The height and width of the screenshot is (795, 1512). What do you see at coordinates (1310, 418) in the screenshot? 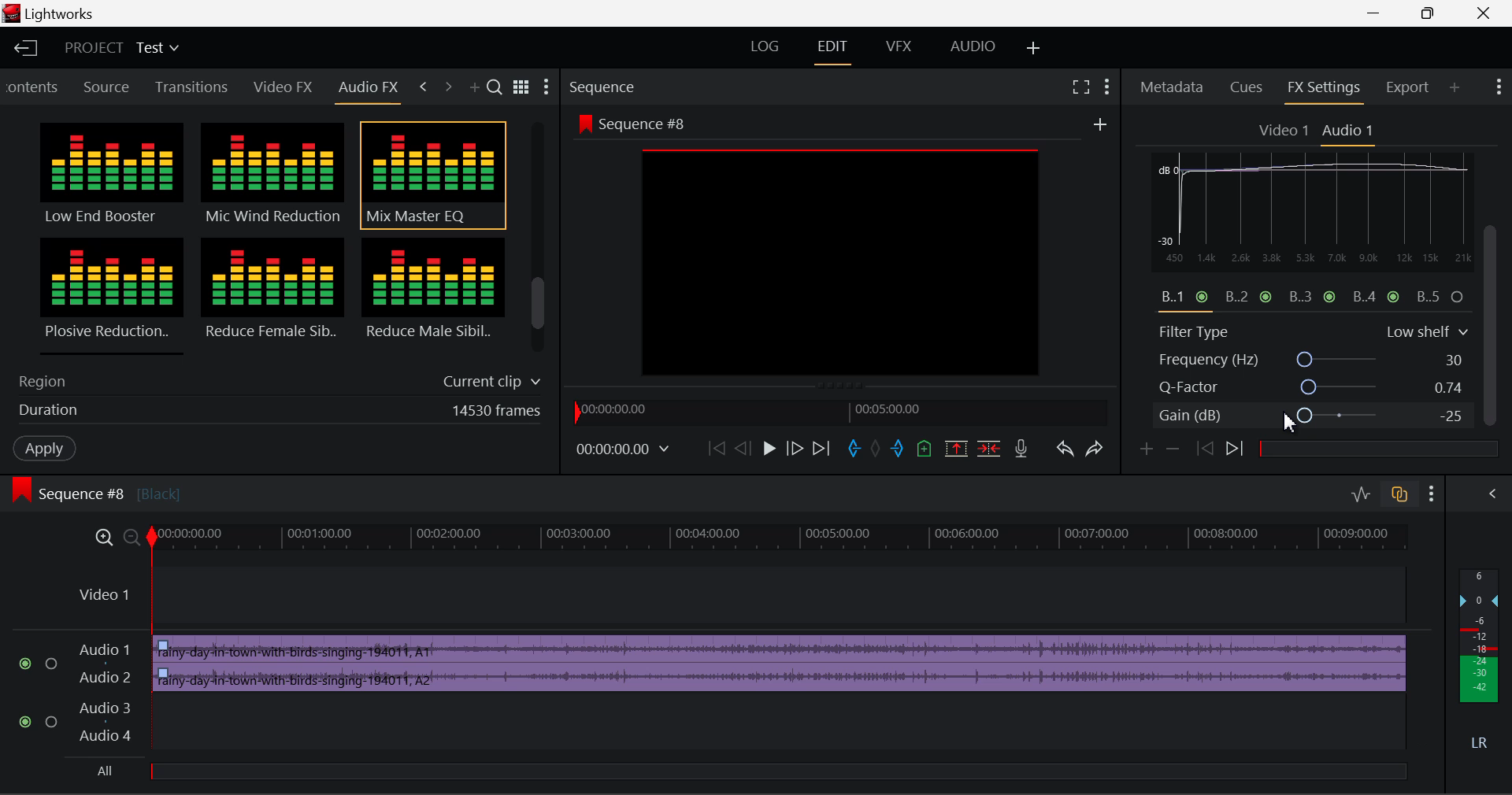
I see `Gain (dB)` at bounding box center [1310, 418].